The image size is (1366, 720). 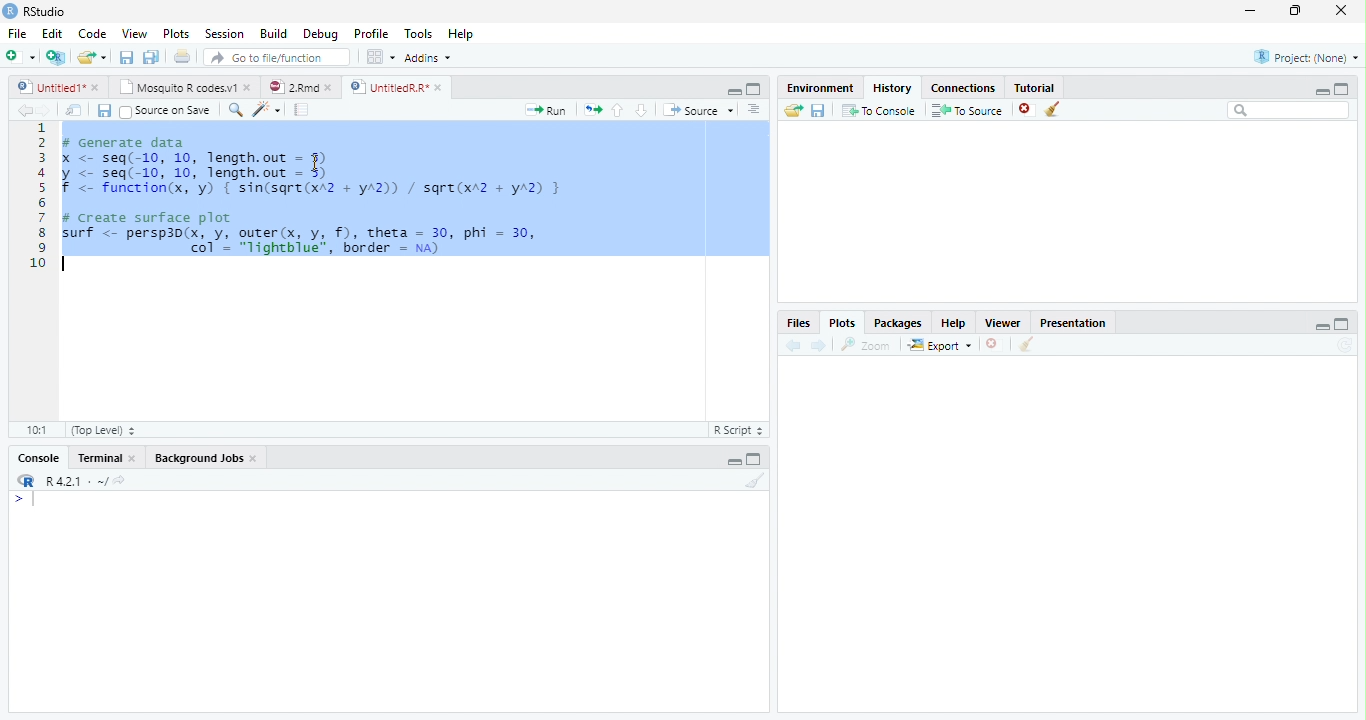 I want to click on Search bar, so click(x=1288, y=110).